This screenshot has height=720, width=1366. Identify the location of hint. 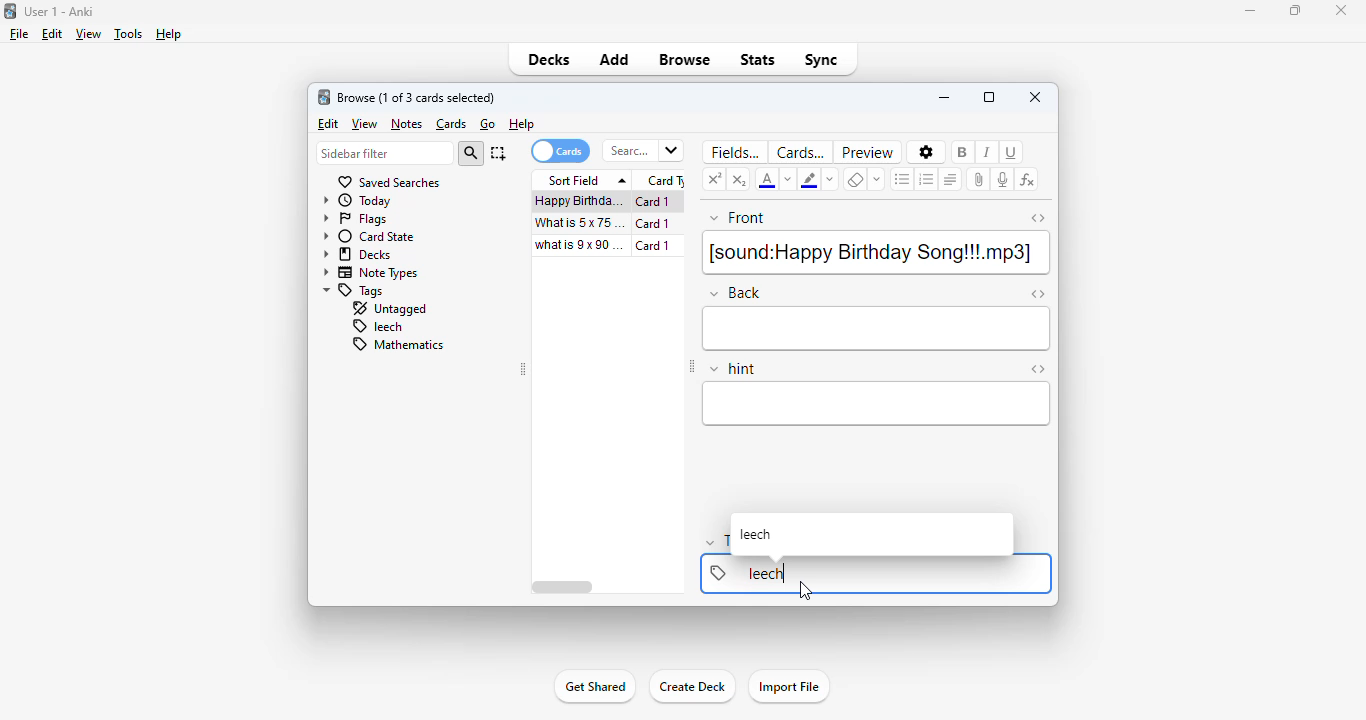
(877, 404).